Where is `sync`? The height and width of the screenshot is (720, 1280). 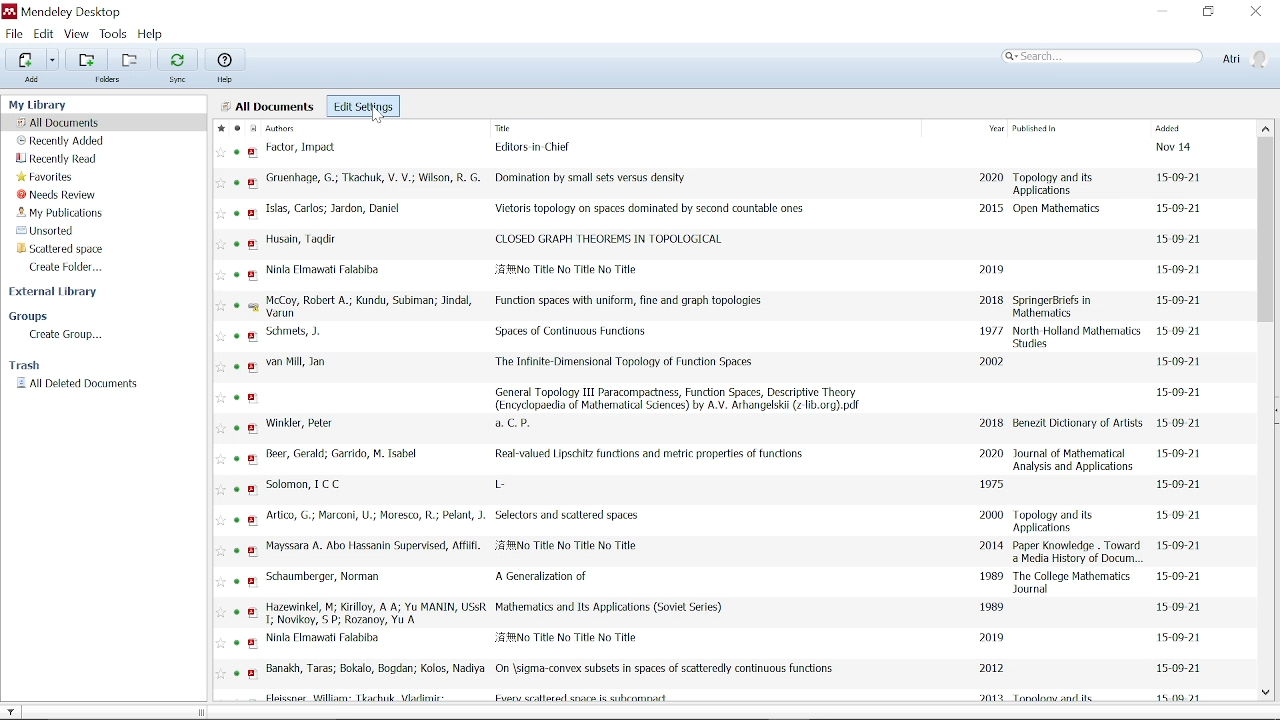 sync is located at coordinates (180, 81).